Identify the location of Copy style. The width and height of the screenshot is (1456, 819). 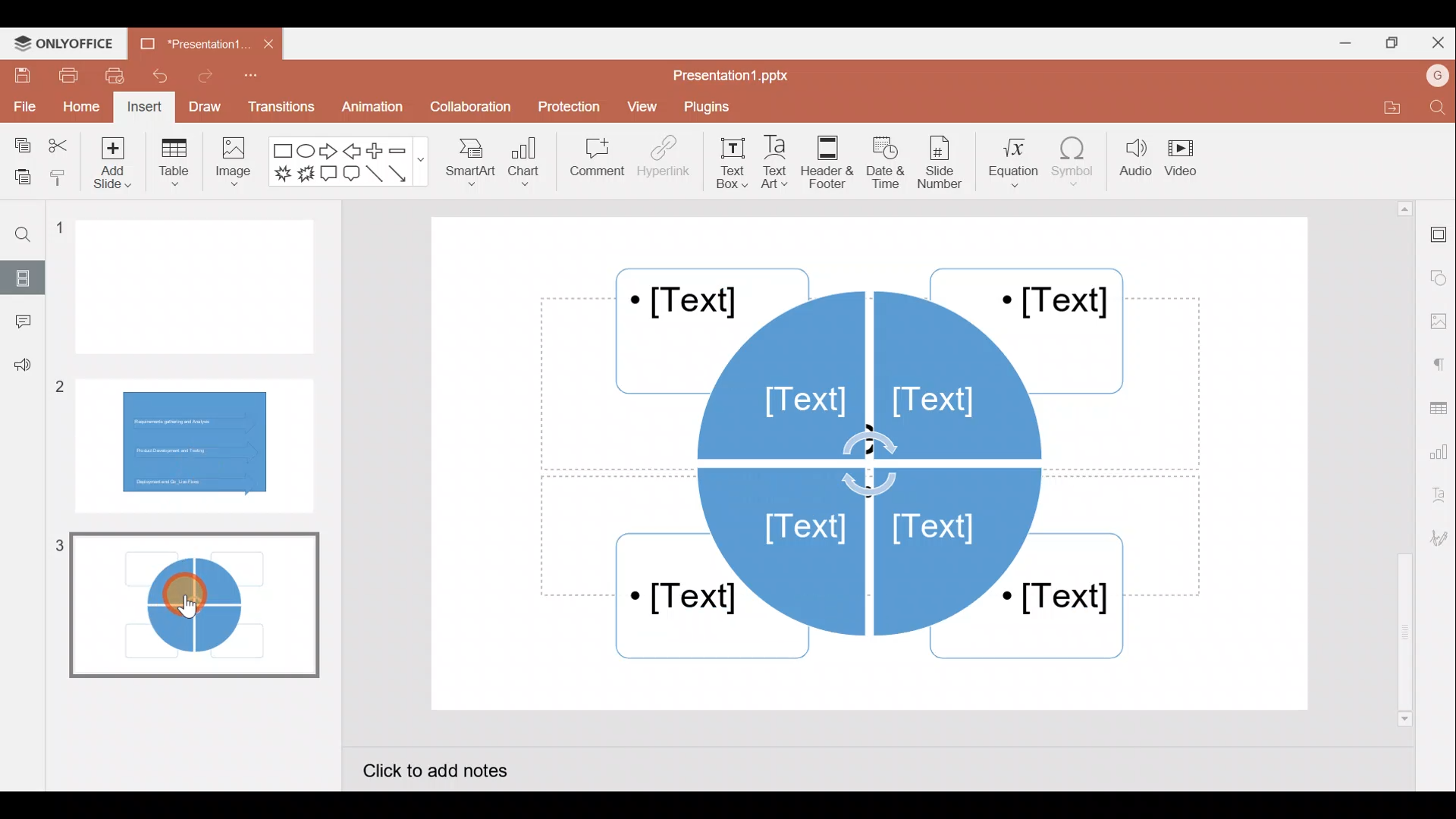
(59, 177).